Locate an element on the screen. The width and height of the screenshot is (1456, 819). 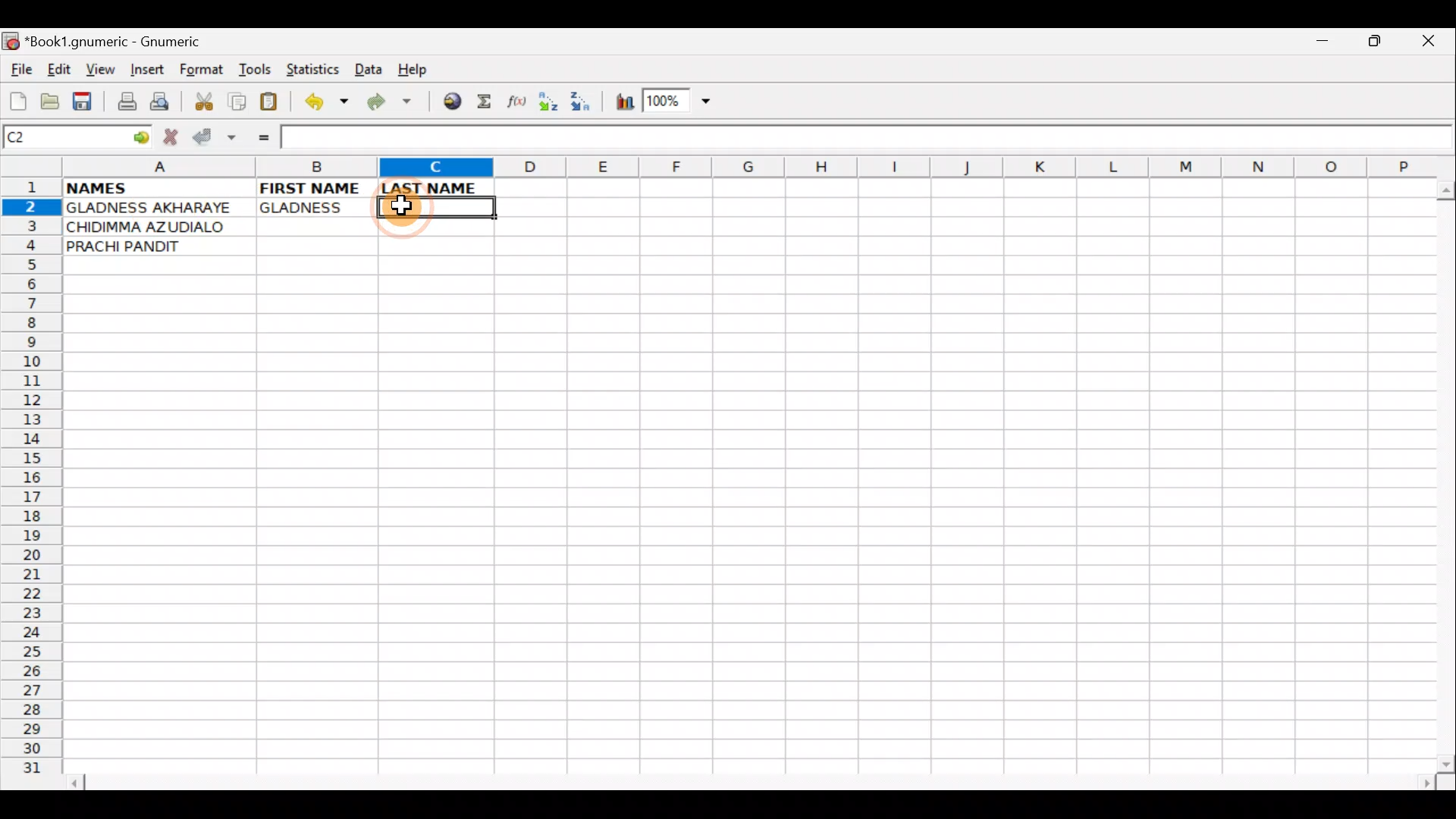
Cells is located at coordinates (746, 528).